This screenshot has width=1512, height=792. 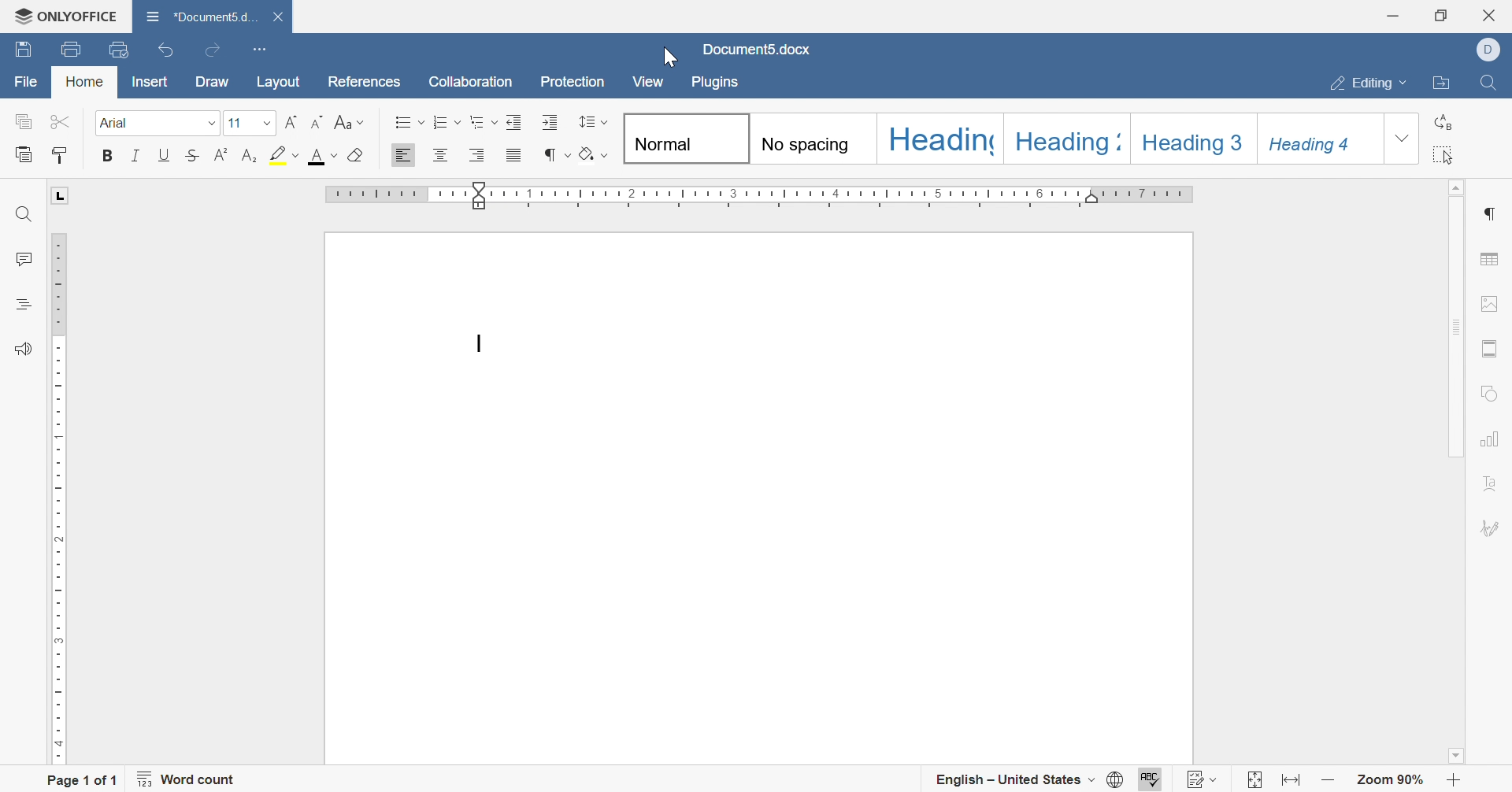 I want to click on track changes, so click(x=1205, y=779).